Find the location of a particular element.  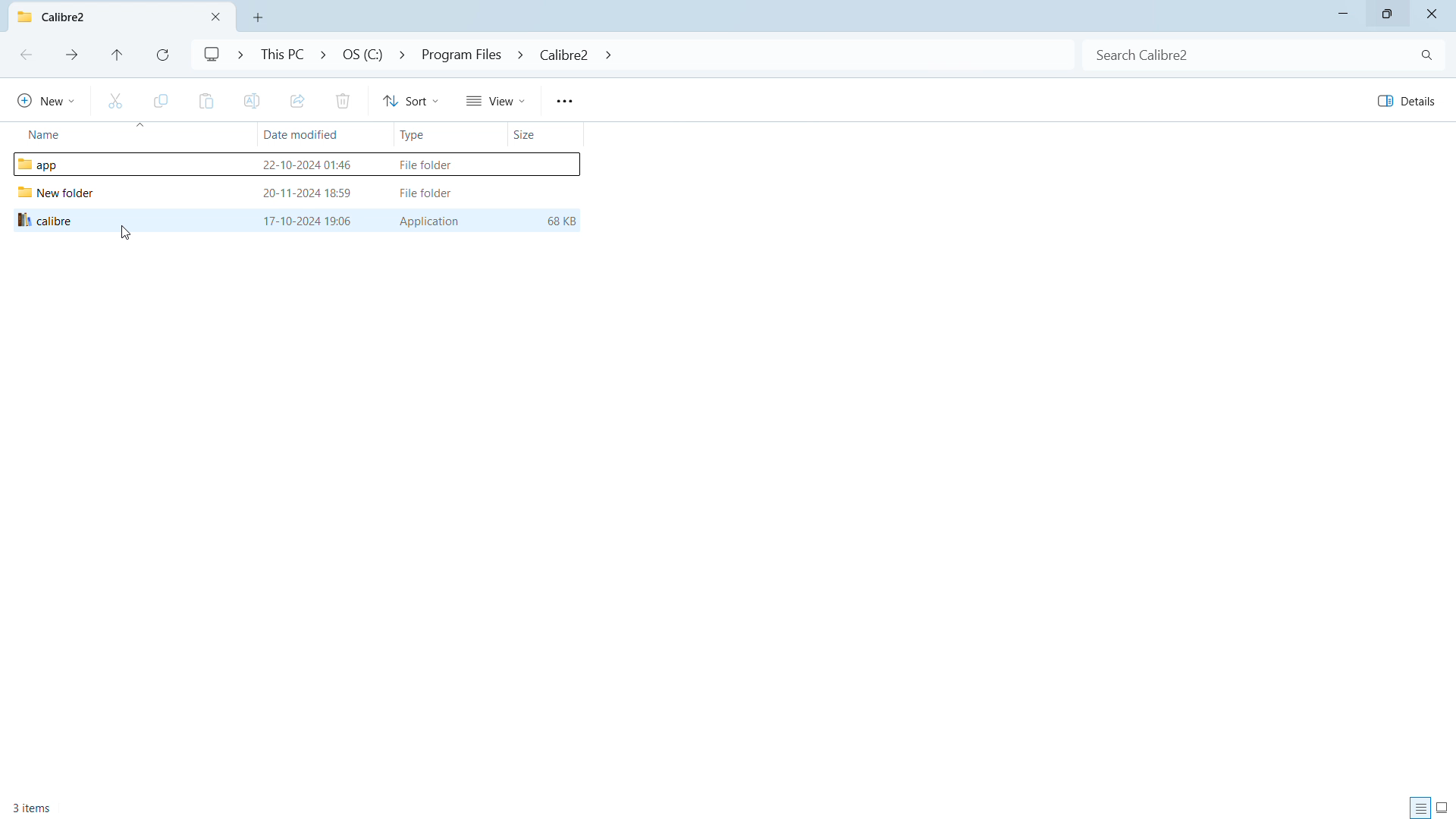

delete is located at coordinates (345, 101).